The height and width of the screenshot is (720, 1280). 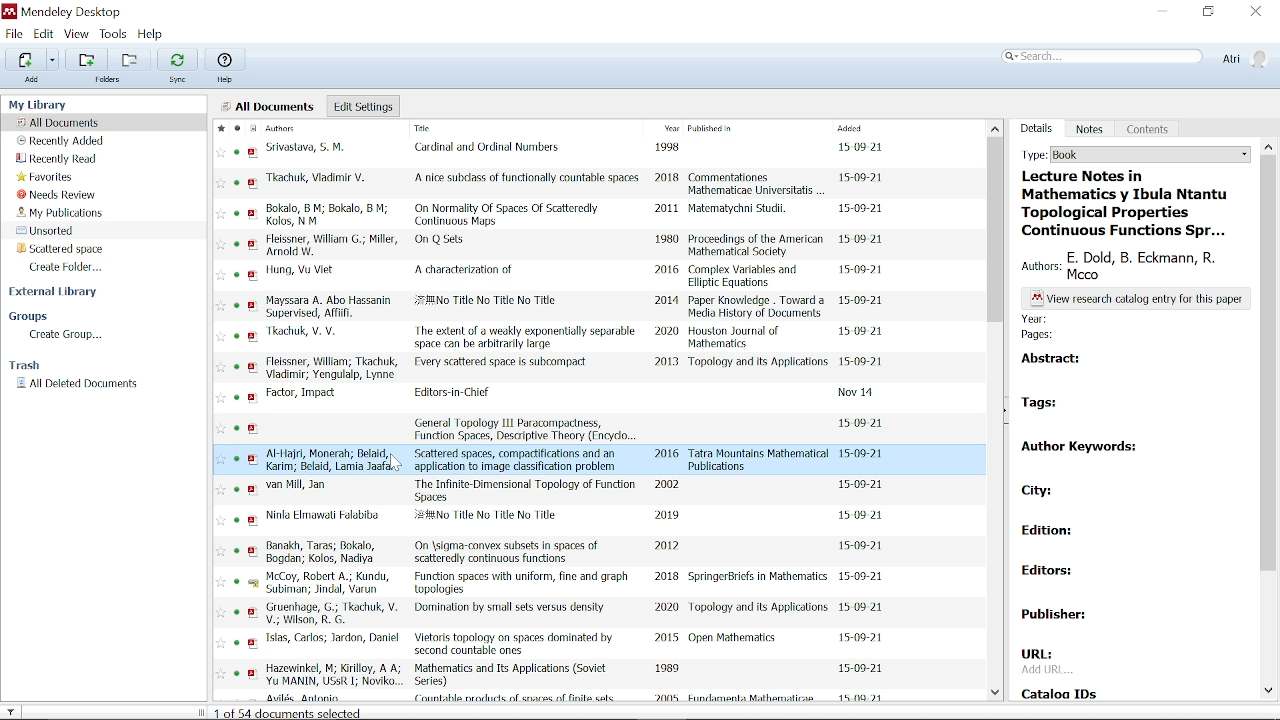 I want to click on Move up in all files, so click(x=995, y=128).